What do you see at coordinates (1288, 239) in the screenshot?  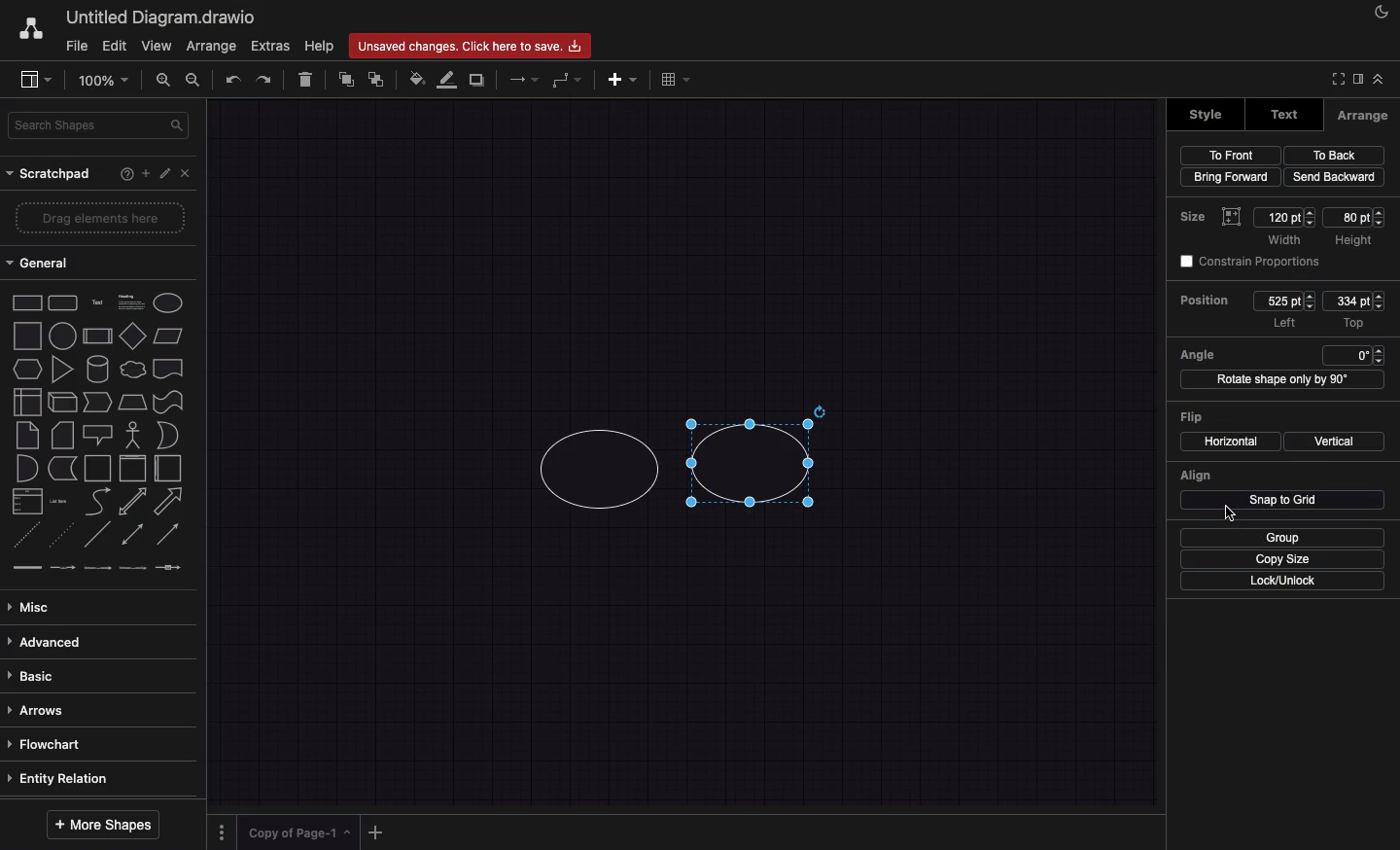 I see `width` at bounding box center [1288, 239].